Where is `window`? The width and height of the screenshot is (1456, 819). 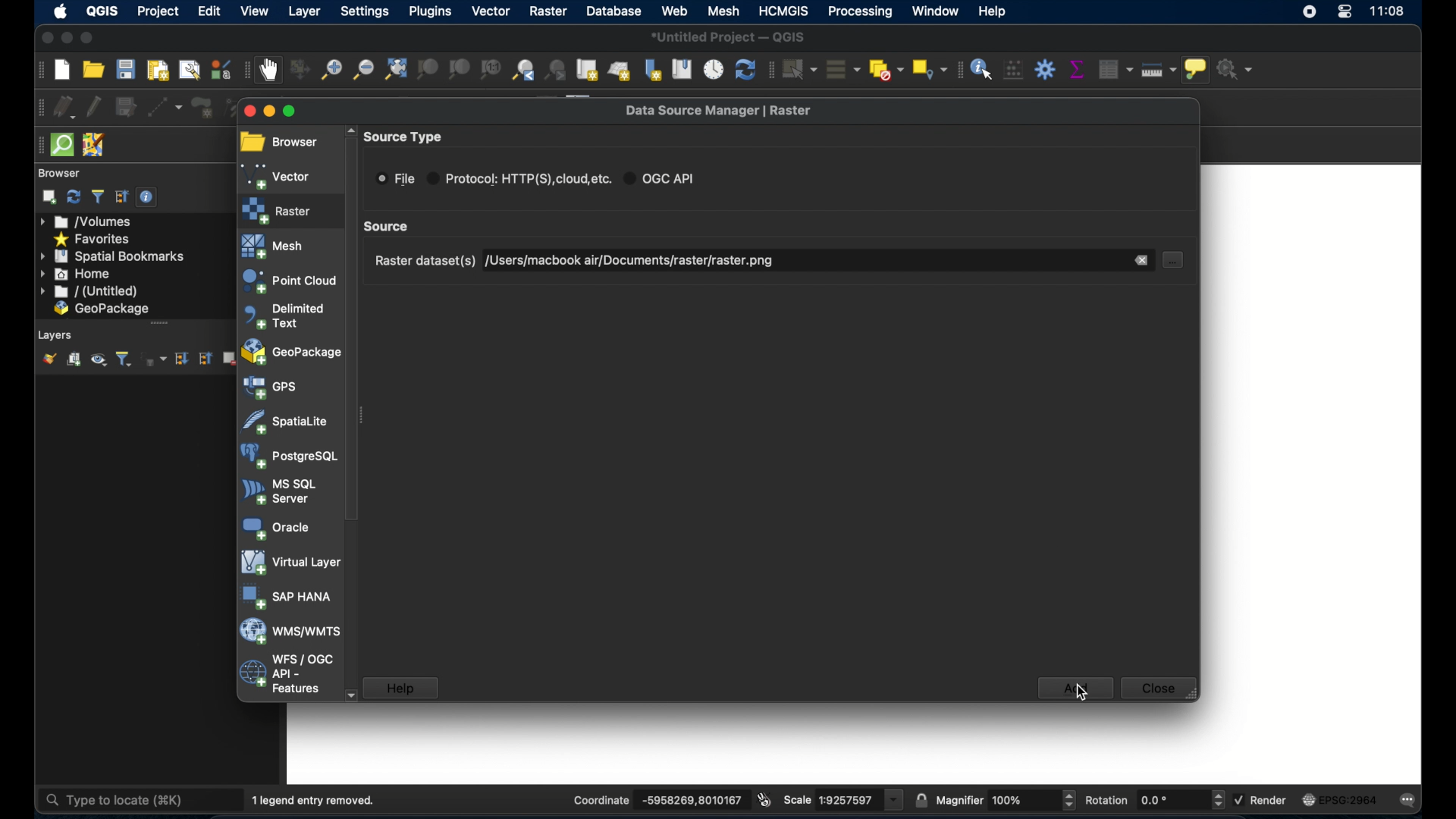
window is located at coordinates (934, 11).